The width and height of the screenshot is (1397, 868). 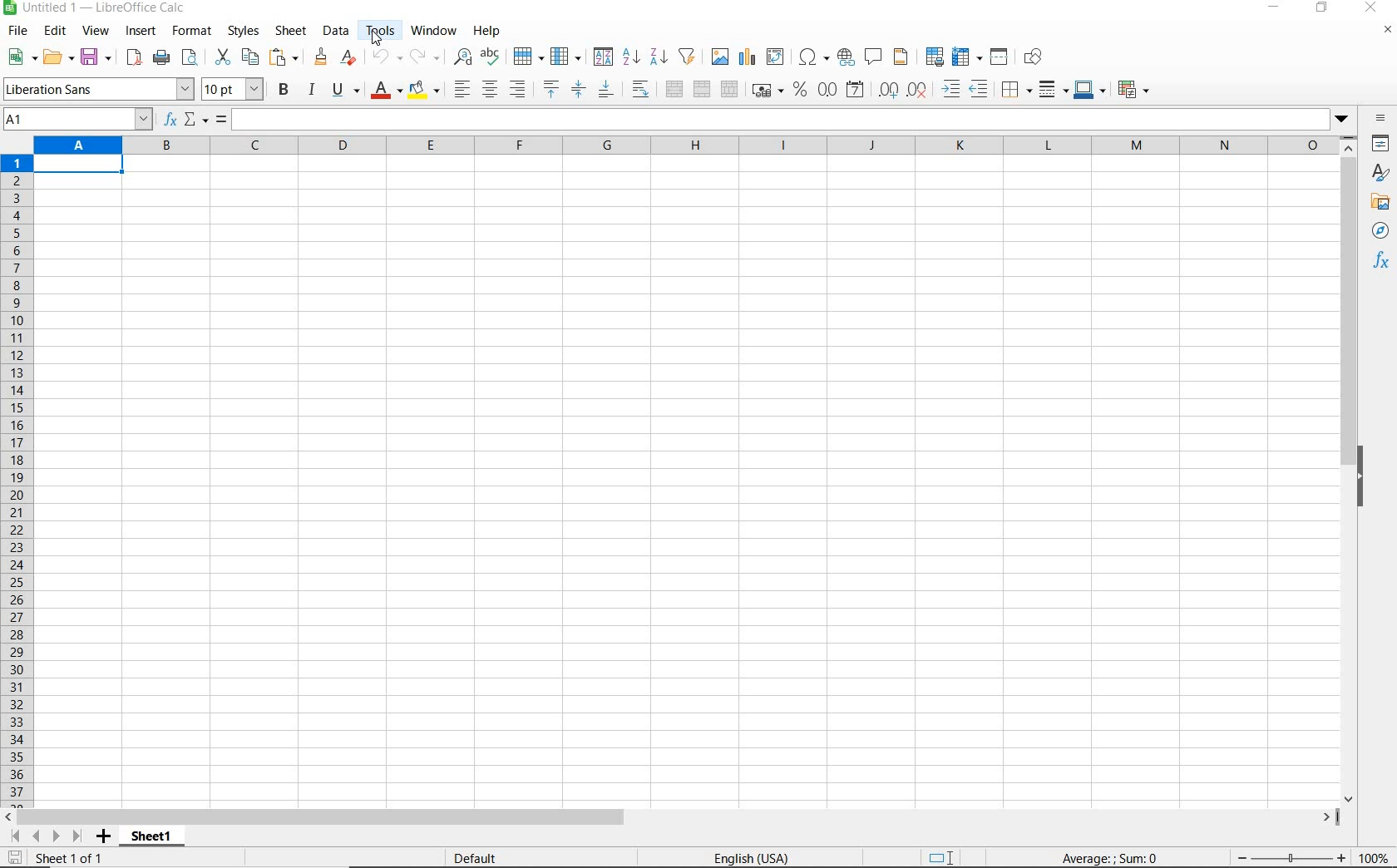 What do you see at coordinates (69, 858) in the screenshot?
I see `SHEET 1 OF 1` at bounding box center [69, 858].